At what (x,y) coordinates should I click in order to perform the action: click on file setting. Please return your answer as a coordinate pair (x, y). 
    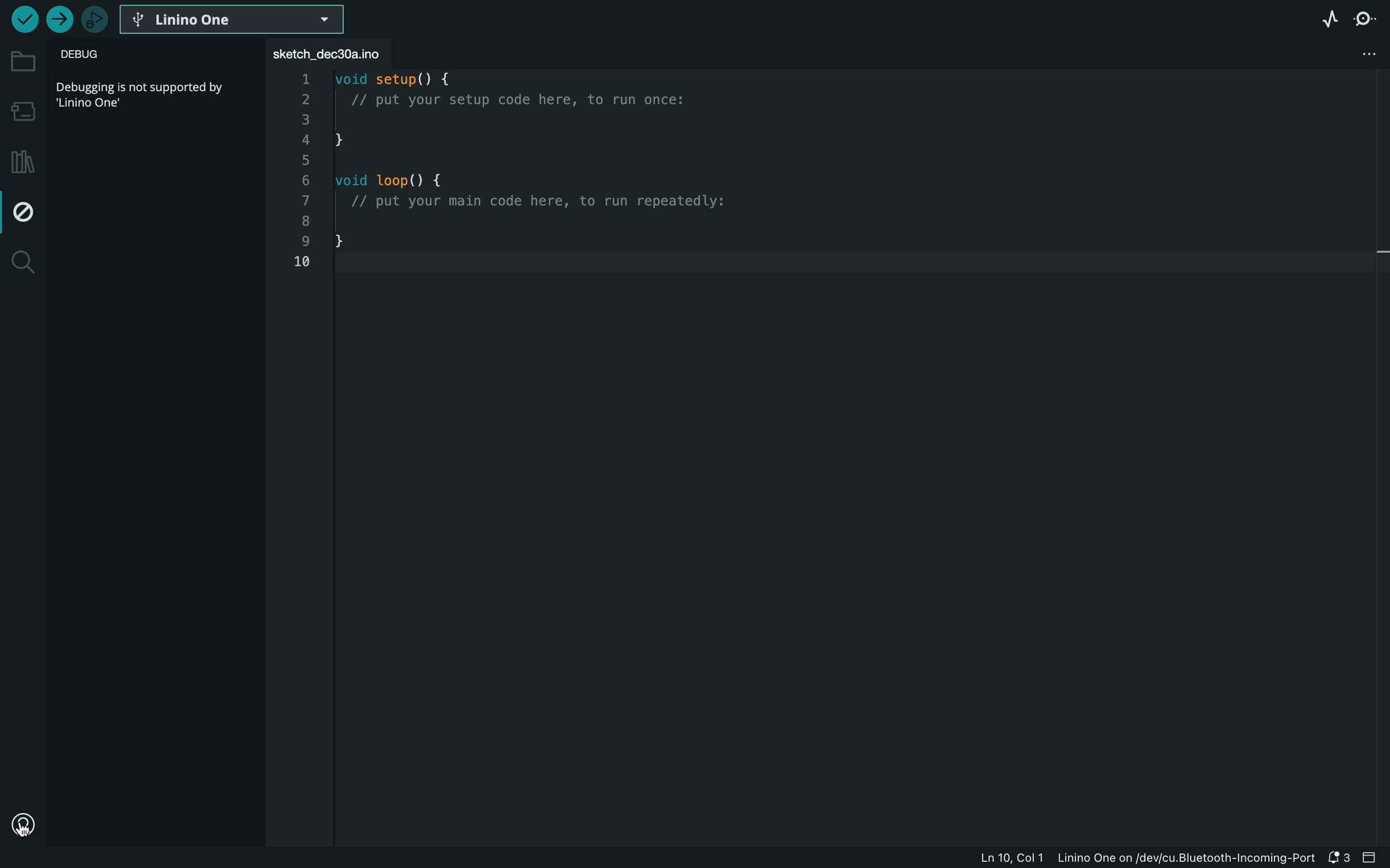
    Looking at the image, I should click on (1340, 53).